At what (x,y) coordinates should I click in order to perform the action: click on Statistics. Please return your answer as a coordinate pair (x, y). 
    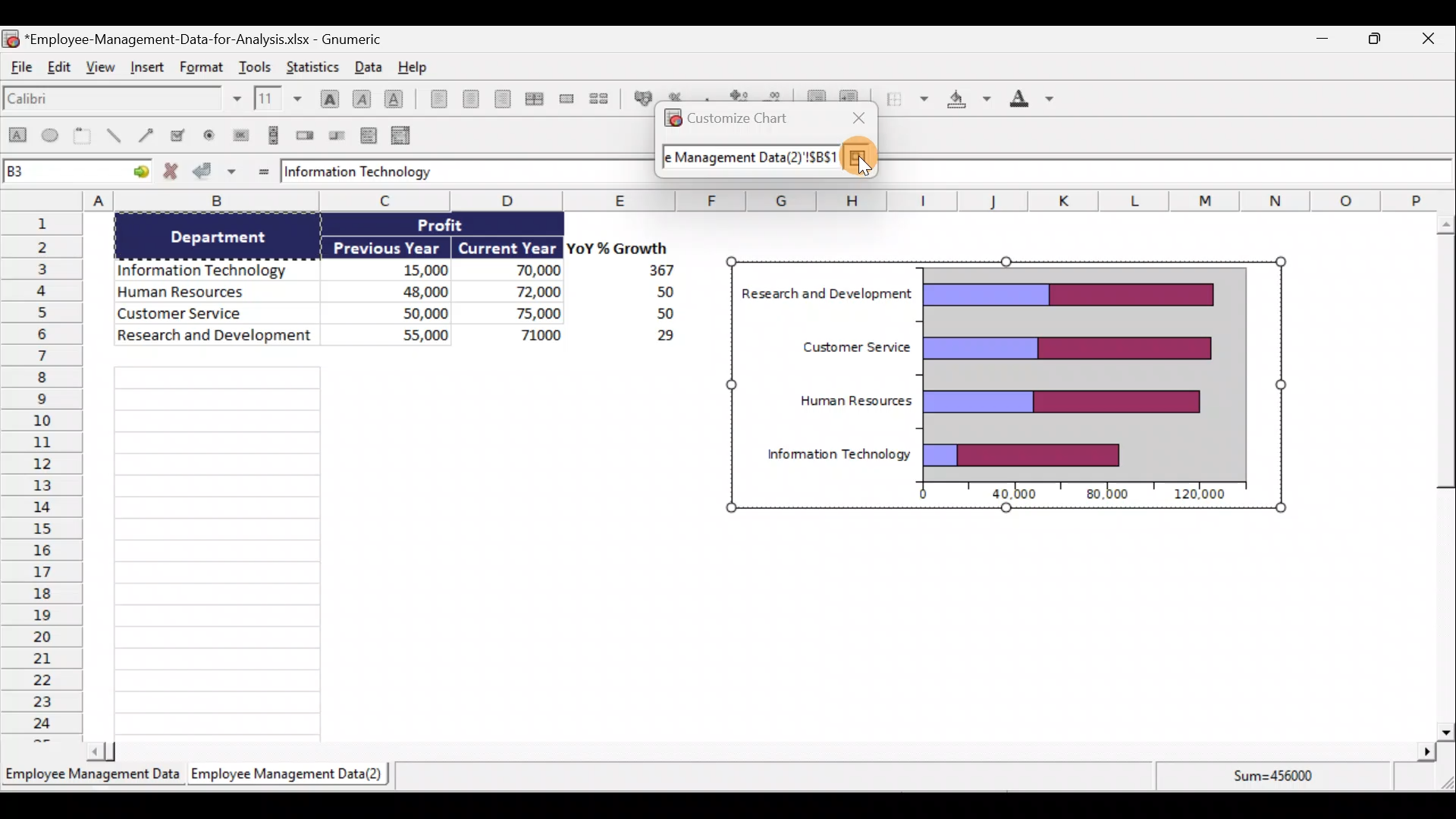
    Looking at the image, I should click on (317, 66).